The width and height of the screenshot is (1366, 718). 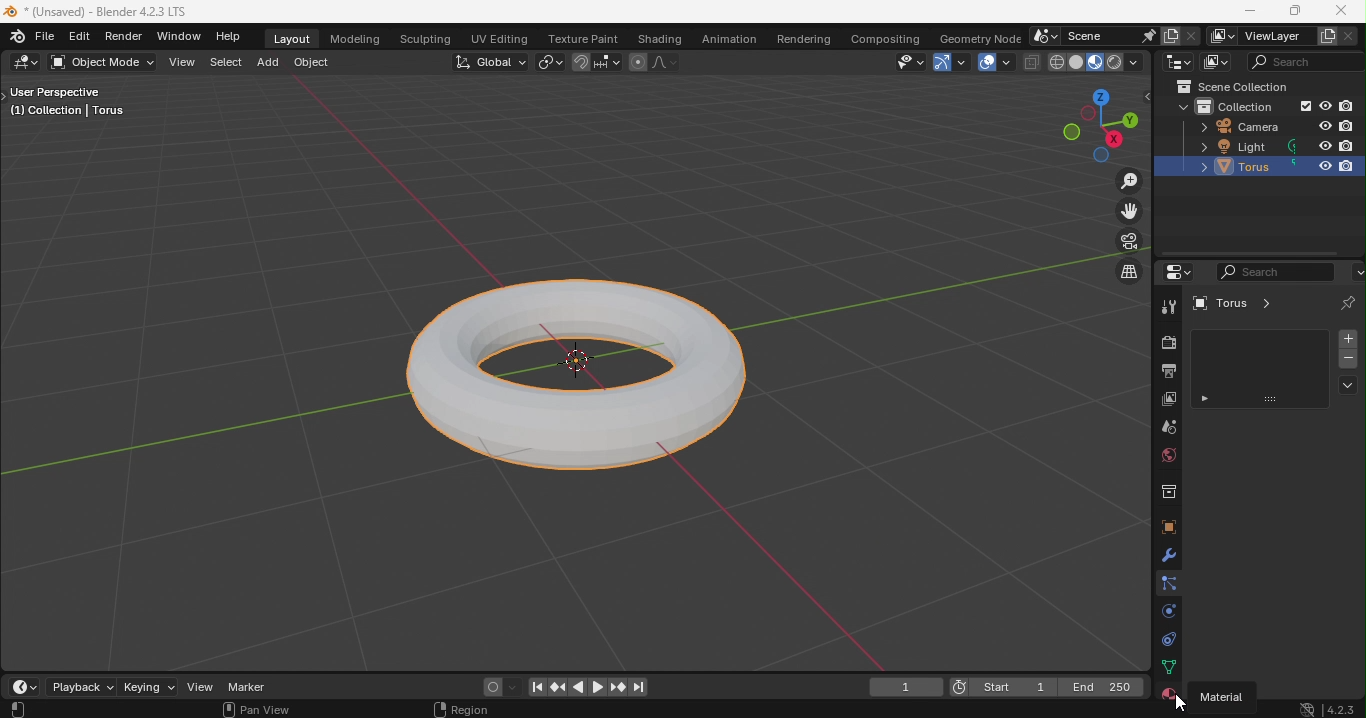 I want to click on current frame, so click(x=906, y=688).